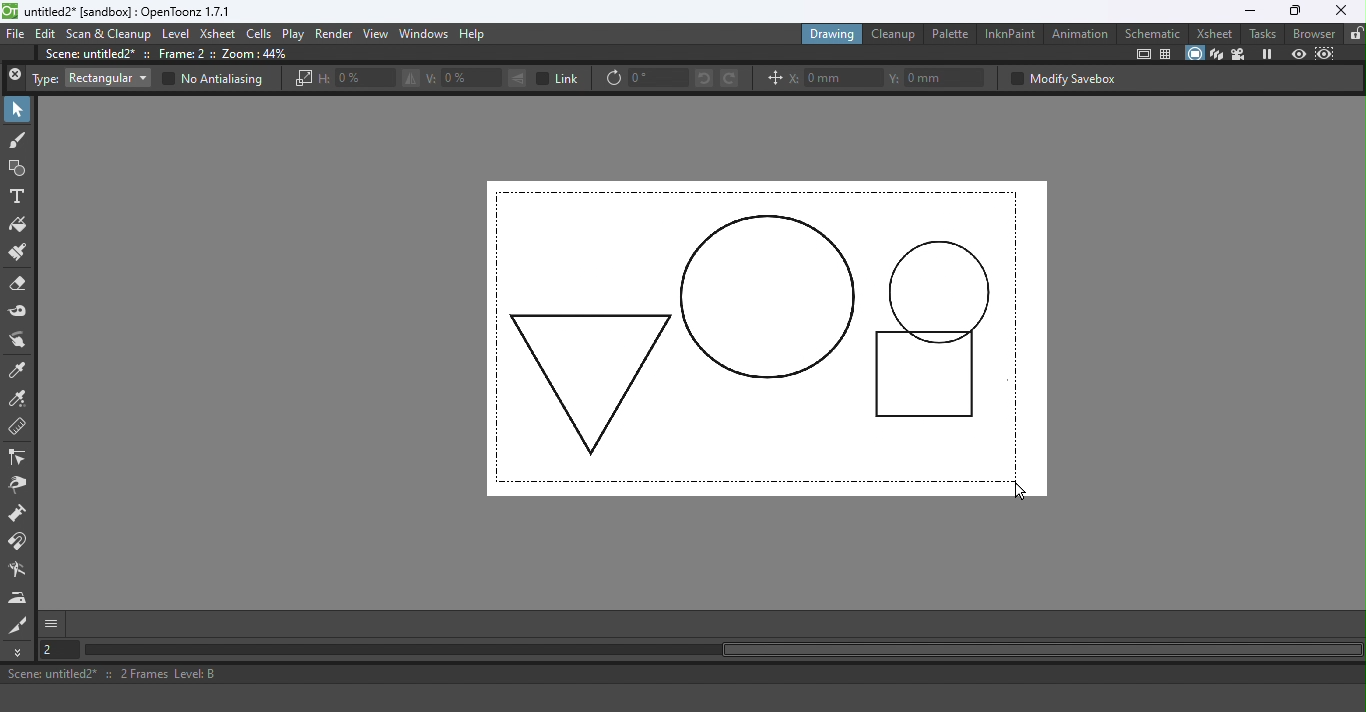 Image resolution: width=1366 pixels, height=712 pixels. Describe the element at coordinates (46, 35) in the screenshot. I see `Edit` at that location.